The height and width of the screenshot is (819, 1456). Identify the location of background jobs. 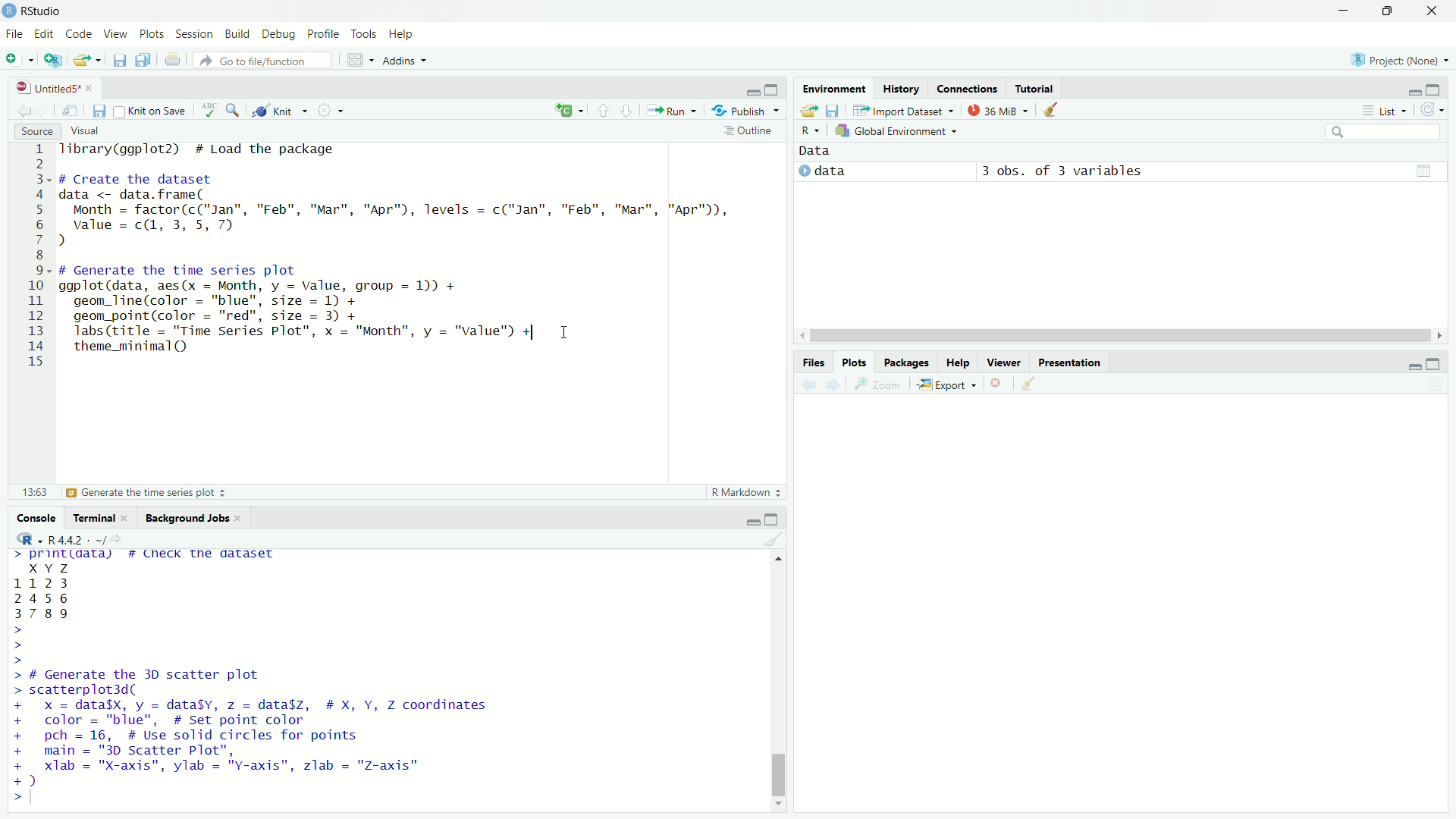
(185, 516).